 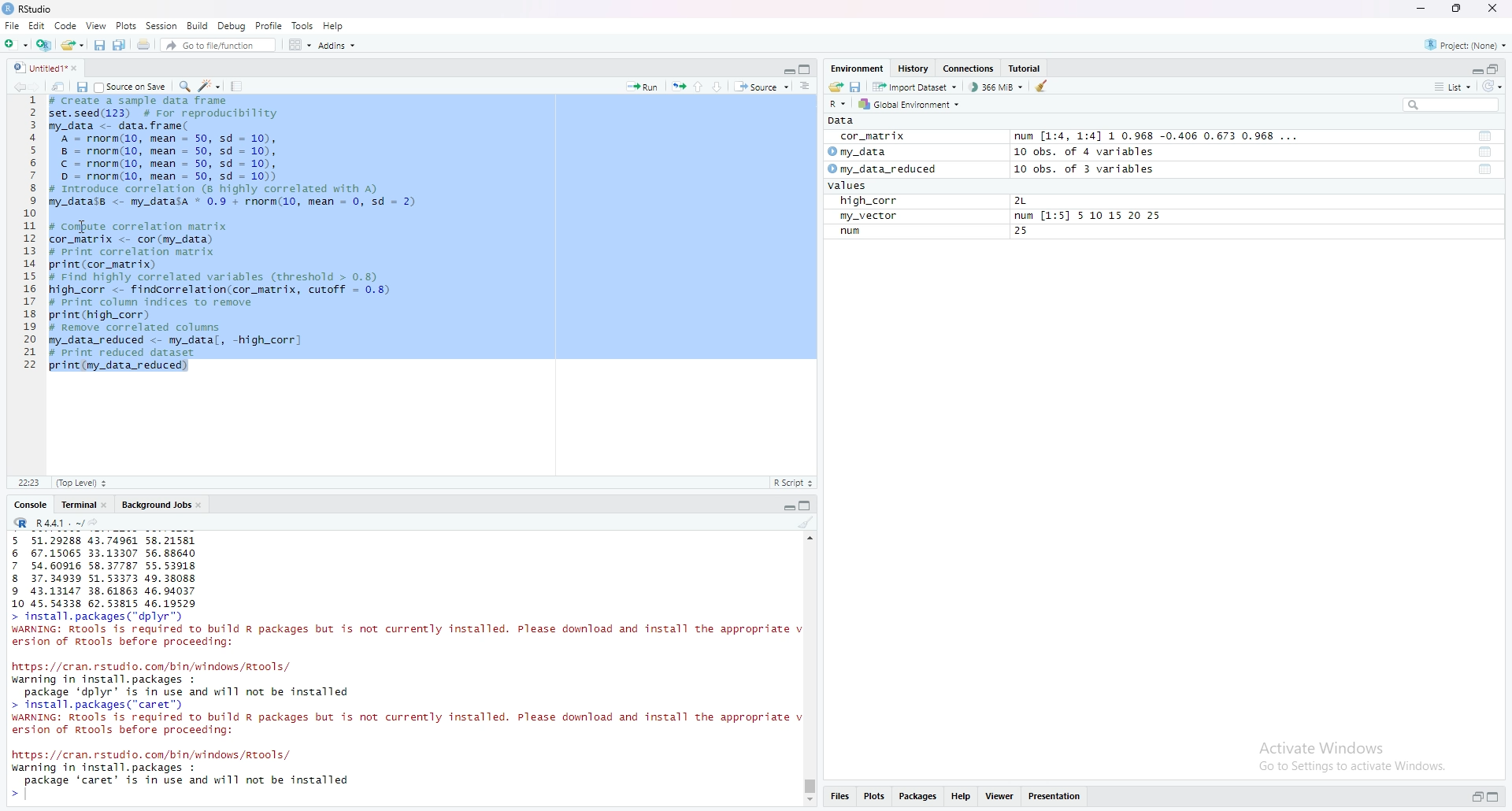 I want to click on 11:1, so click(x=31, y=483).